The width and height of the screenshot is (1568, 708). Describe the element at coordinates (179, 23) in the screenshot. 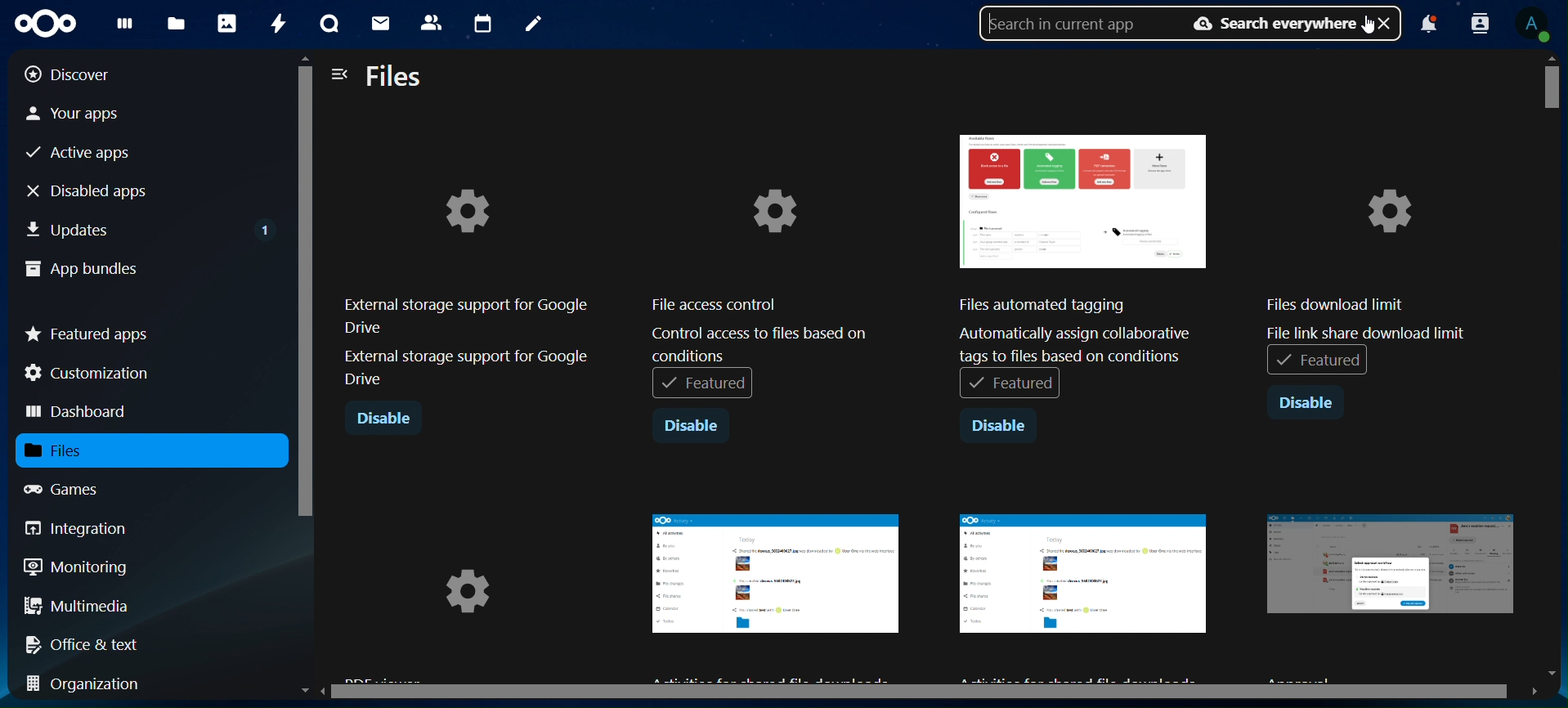

I see `files` at that location.